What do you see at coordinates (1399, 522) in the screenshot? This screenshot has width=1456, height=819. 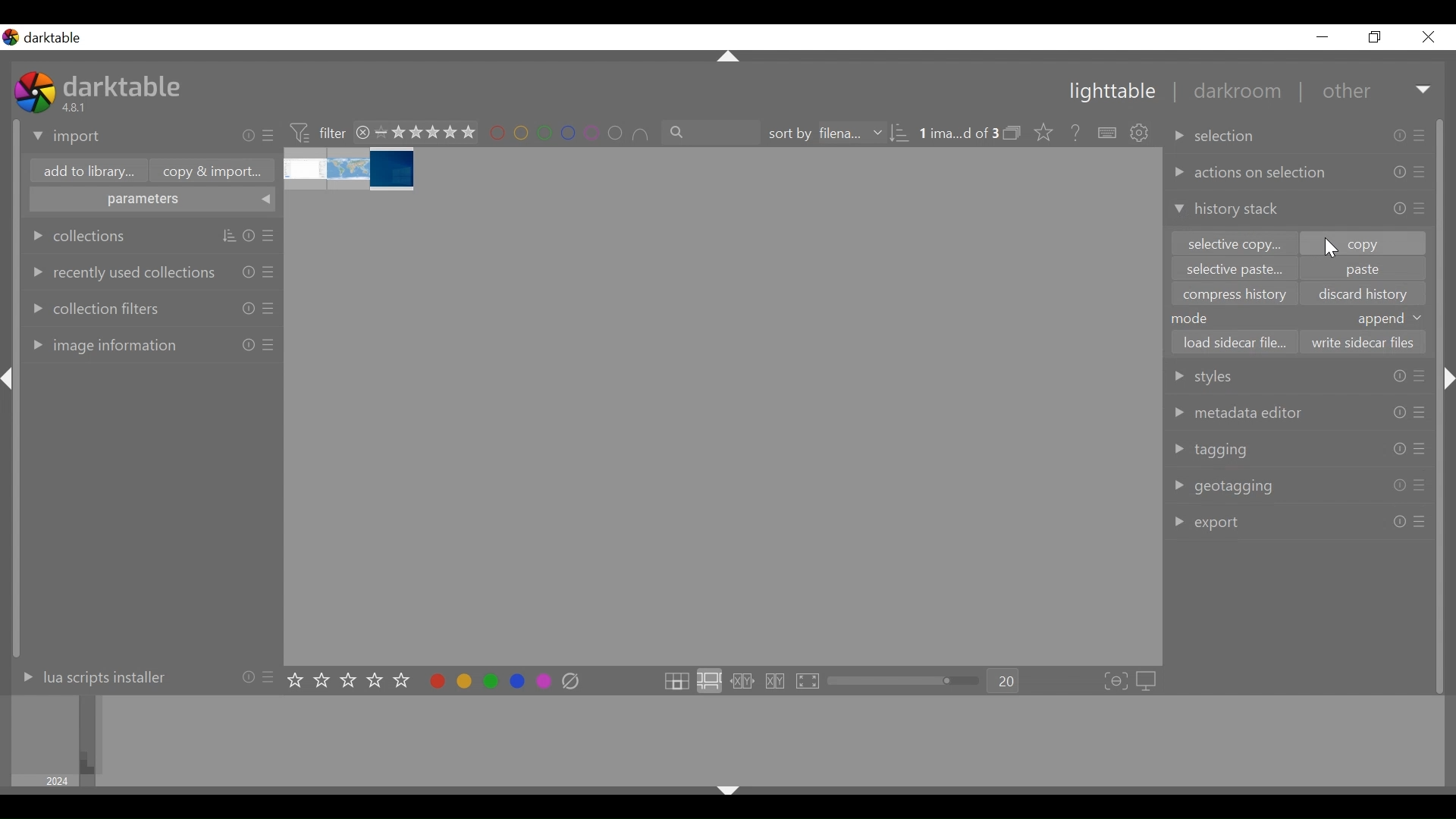 I see `info` at bounding box center [1399, 522].